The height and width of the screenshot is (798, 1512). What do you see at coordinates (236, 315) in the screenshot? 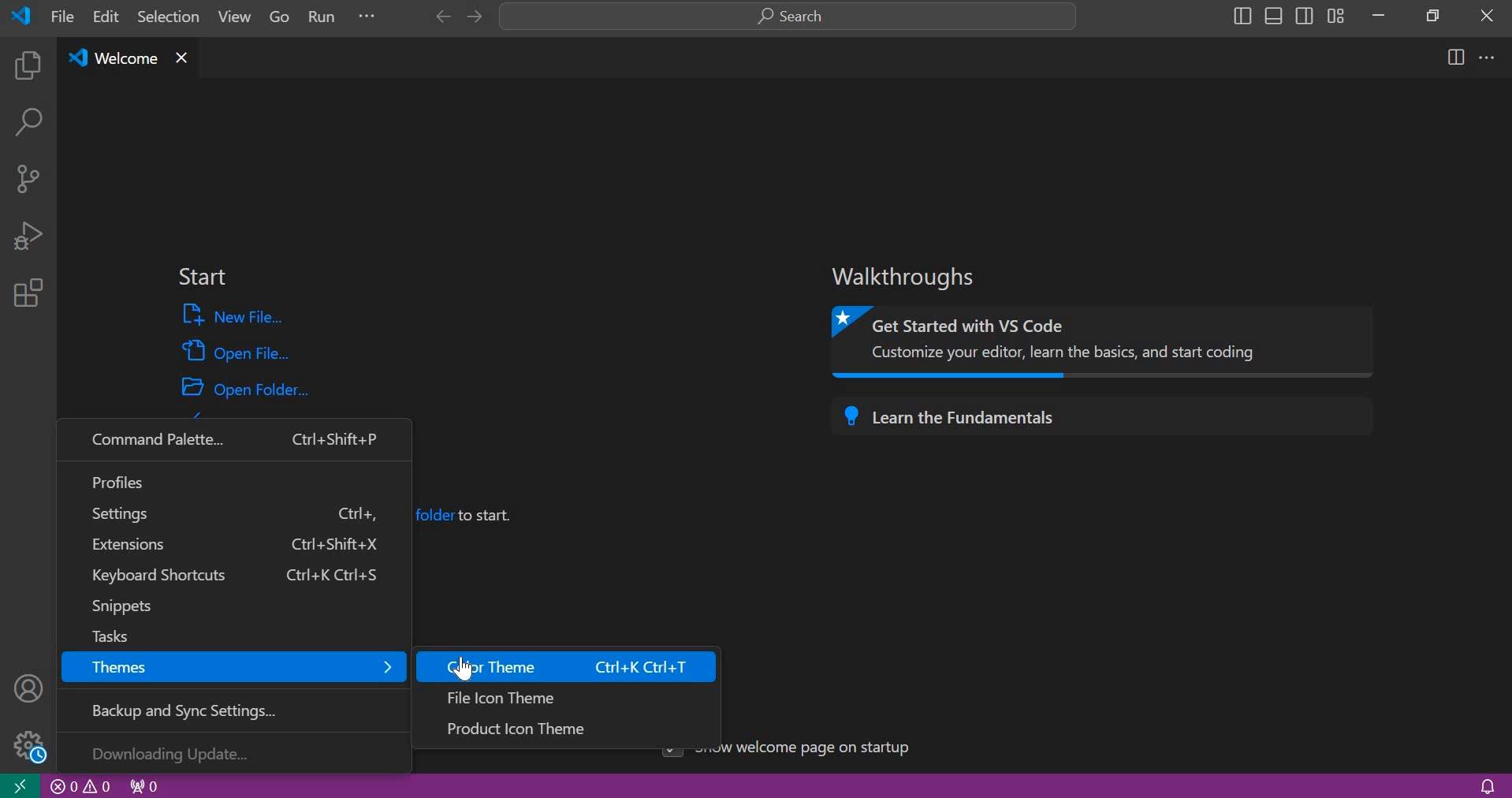
I see `new file` at bounding box center [236, 315].